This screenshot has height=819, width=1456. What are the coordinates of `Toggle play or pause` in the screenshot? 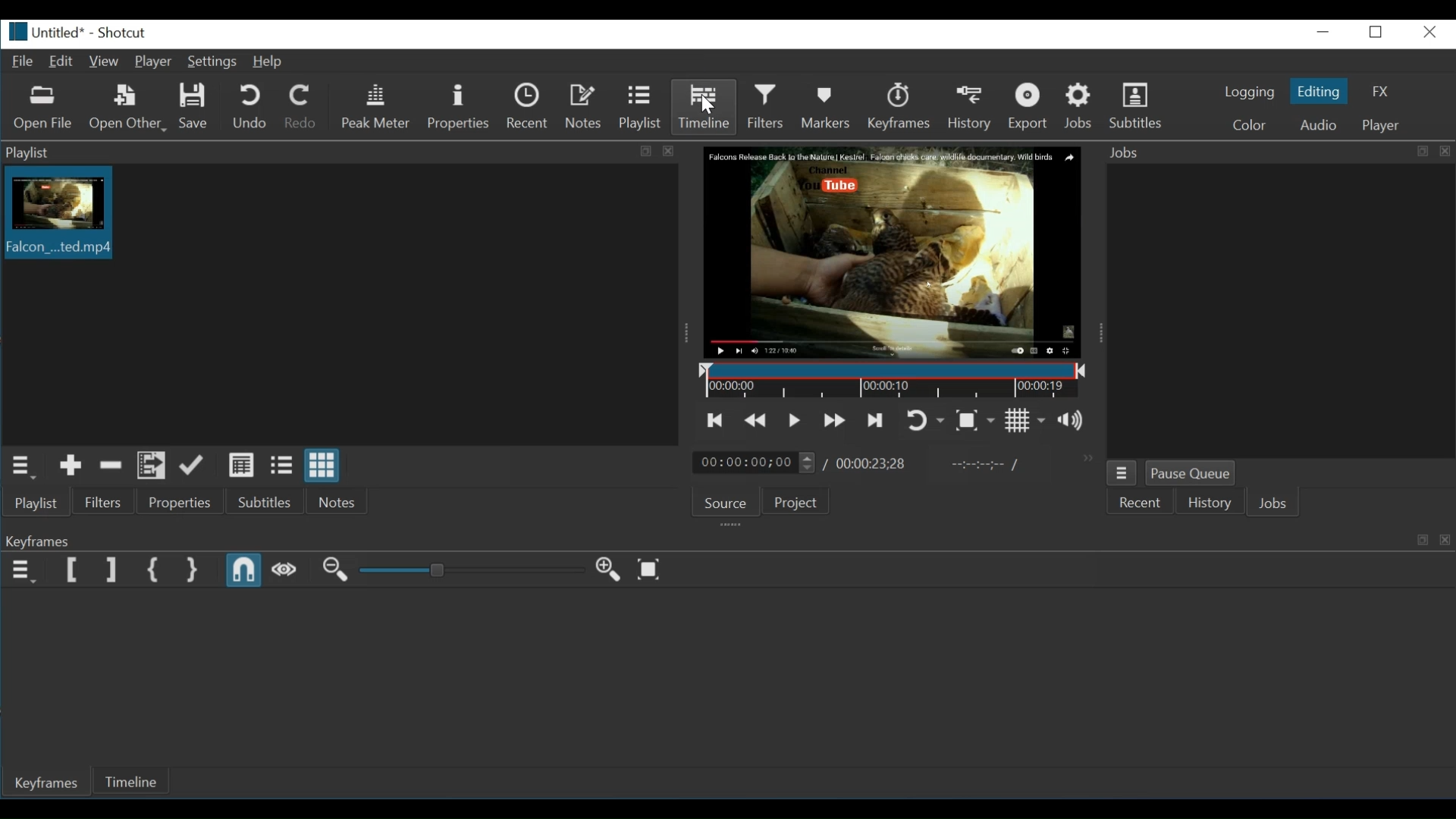 It's located at (794, 421).